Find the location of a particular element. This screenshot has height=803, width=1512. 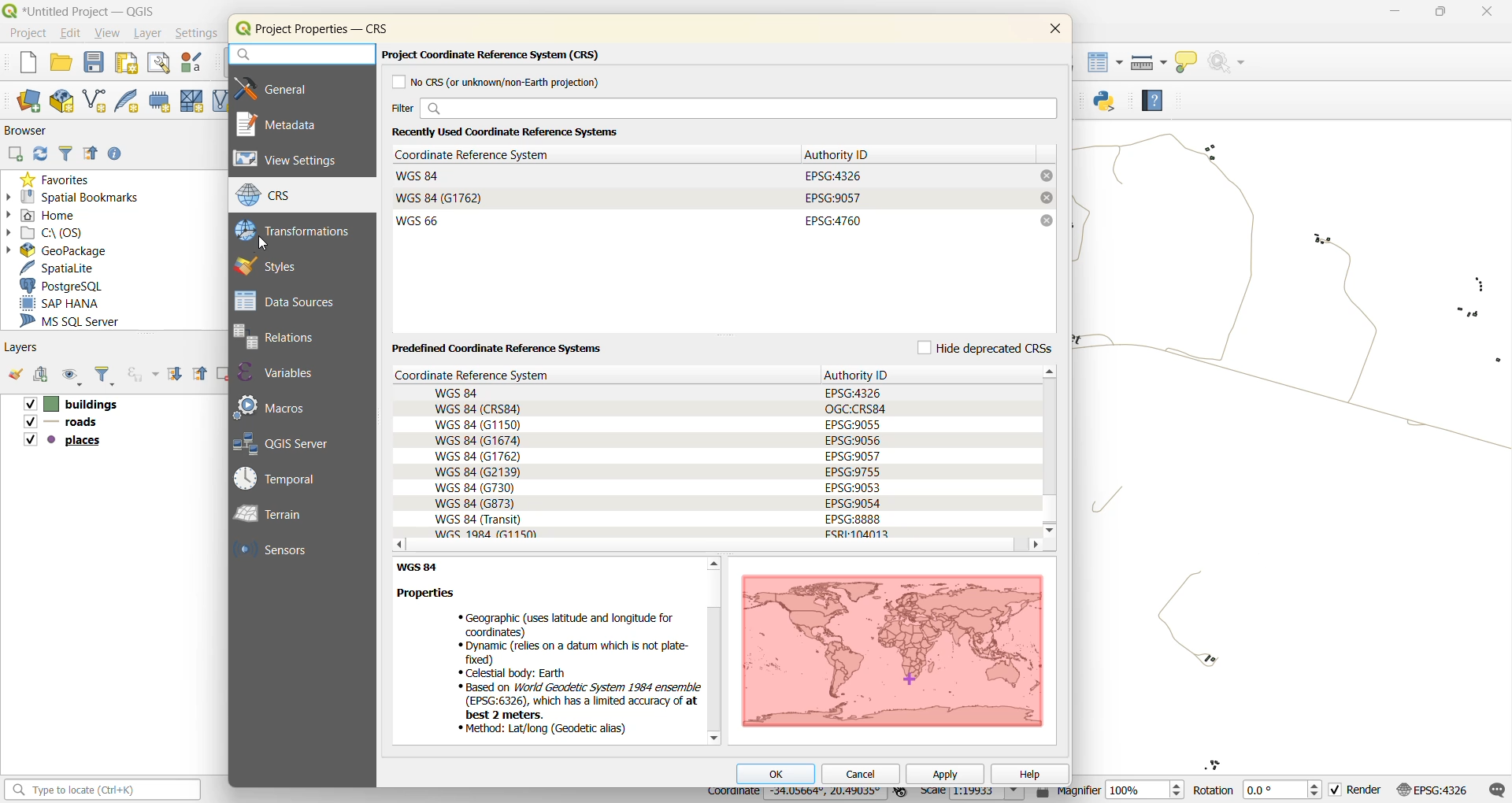

WGS 84 is located at coordinates (420, 176).